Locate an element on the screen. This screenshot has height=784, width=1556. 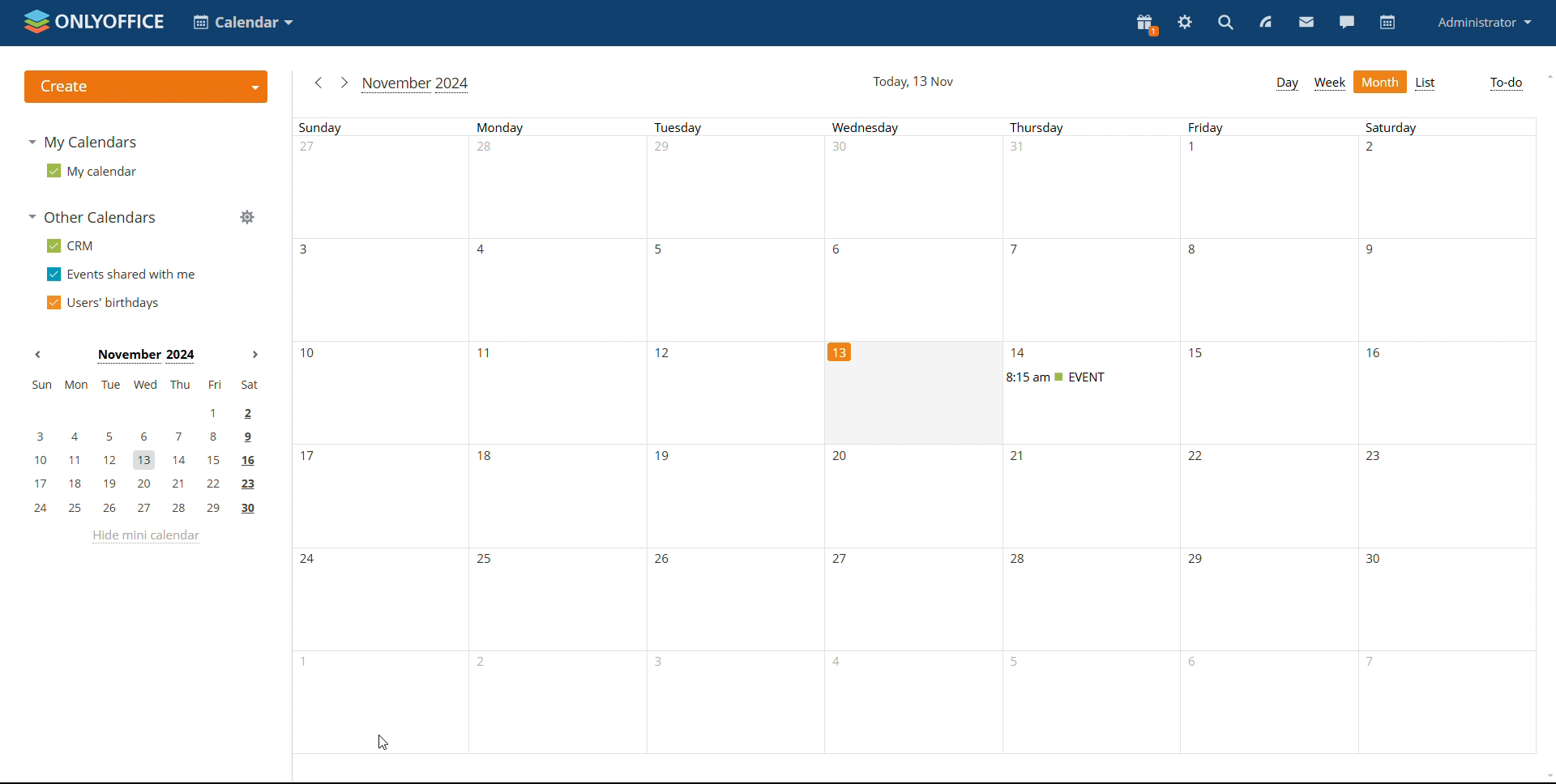
present is located at coordinates (1145, 25).